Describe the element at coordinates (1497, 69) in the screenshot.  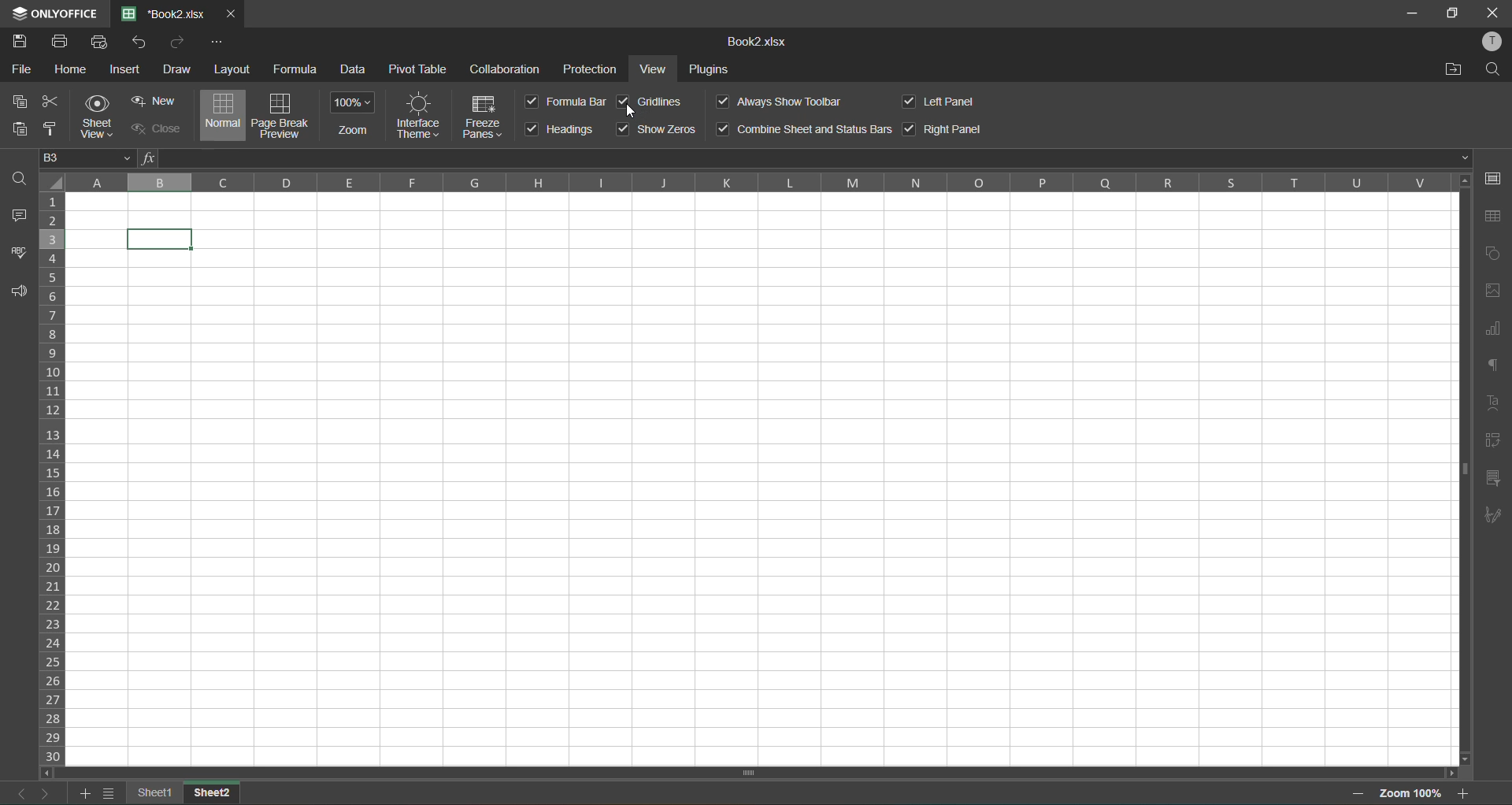
I see `find` at that location.